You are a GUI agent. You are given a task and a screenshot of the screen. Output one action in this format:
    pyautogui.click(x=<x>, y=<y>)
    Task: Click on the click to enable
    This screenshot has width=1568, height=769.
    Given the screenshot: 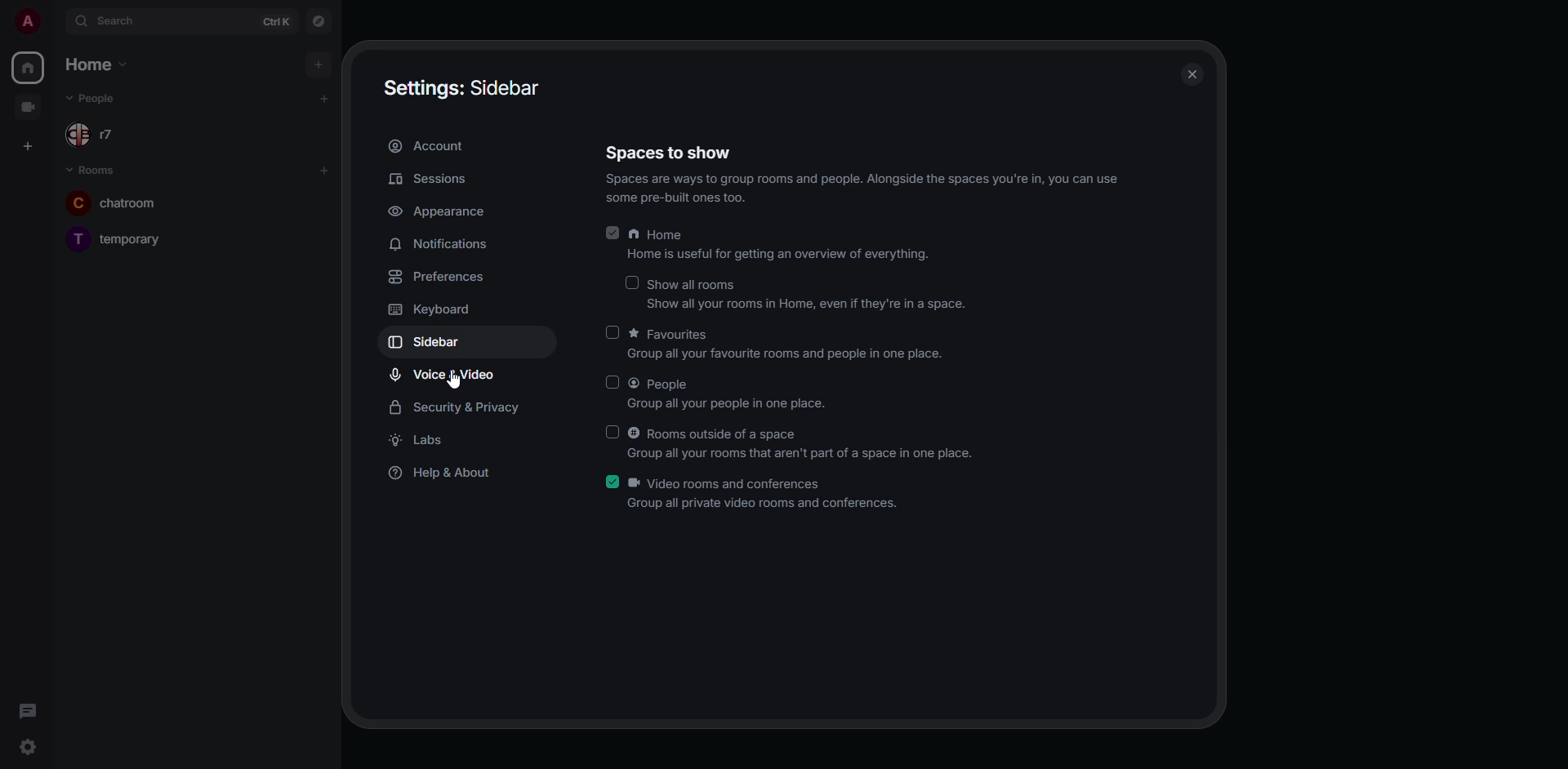 What is the action you would take?
    pyautogui.click(x=612, y=431)
    